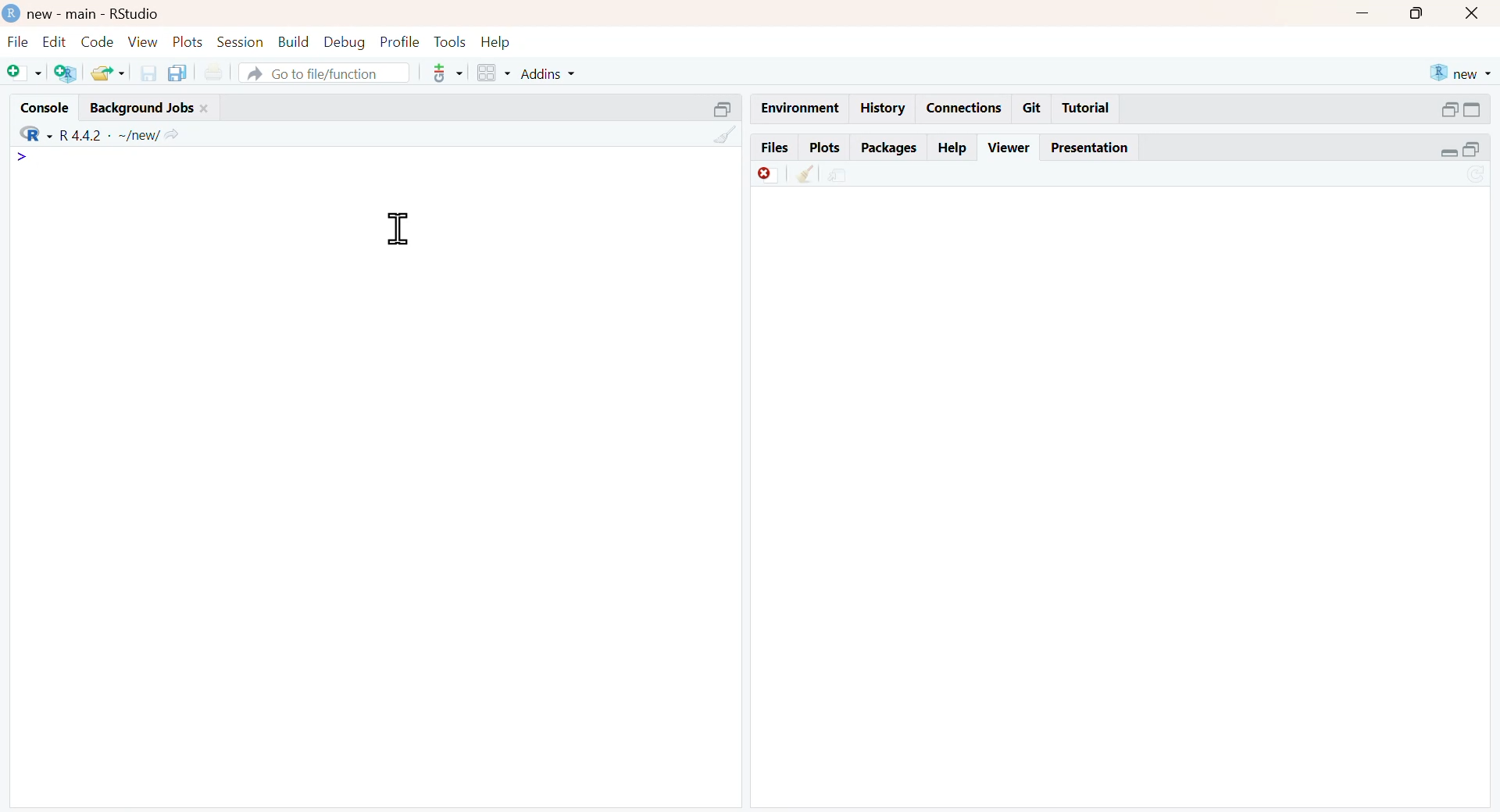 The width and height of the screenshot is (1500, 812). Describe the element at coordinates (1089, 109) in the screenshot. I see `Tutorial` at that location.